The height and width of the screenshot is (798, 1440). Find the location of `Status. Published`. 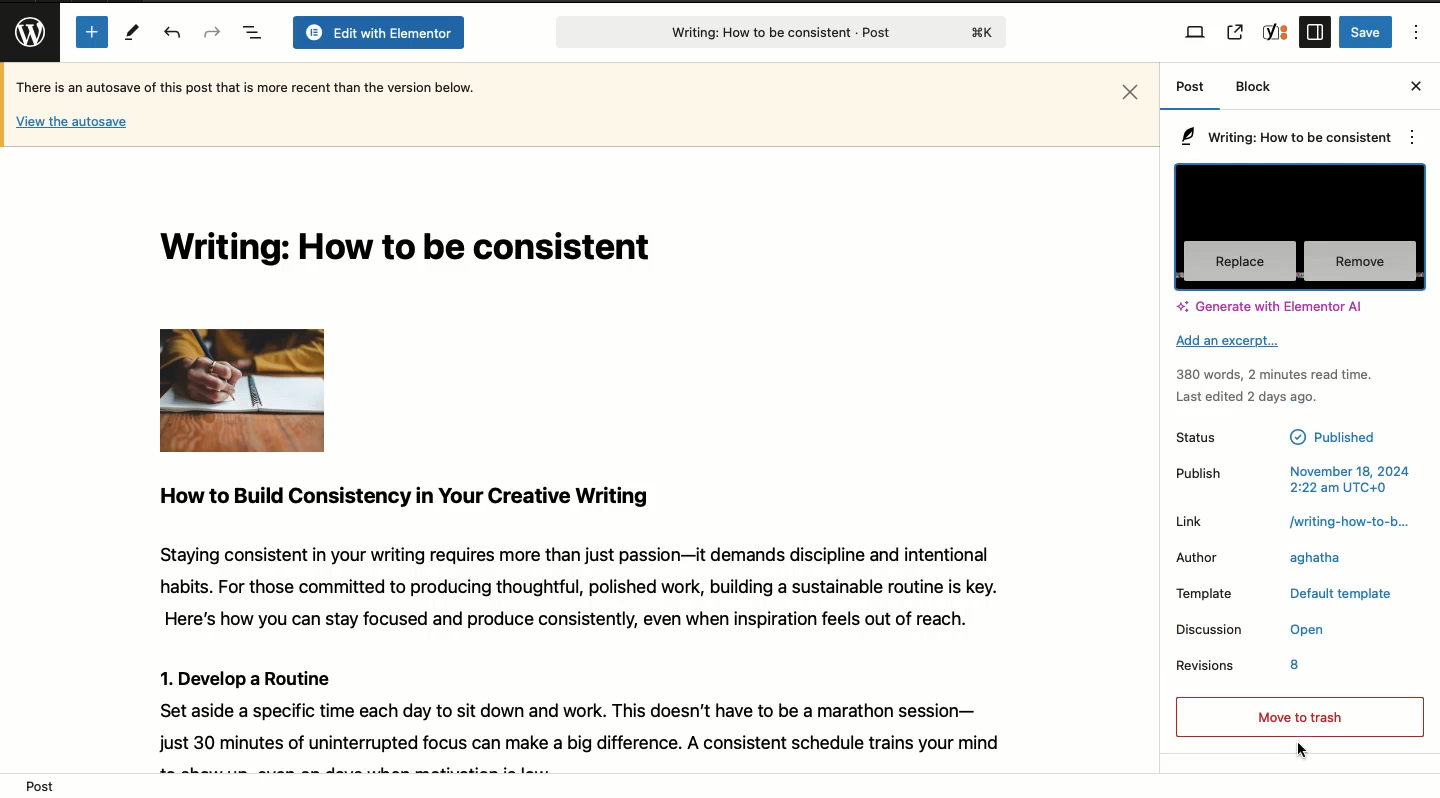

Status. Published is located at coordinates (1275, 440).